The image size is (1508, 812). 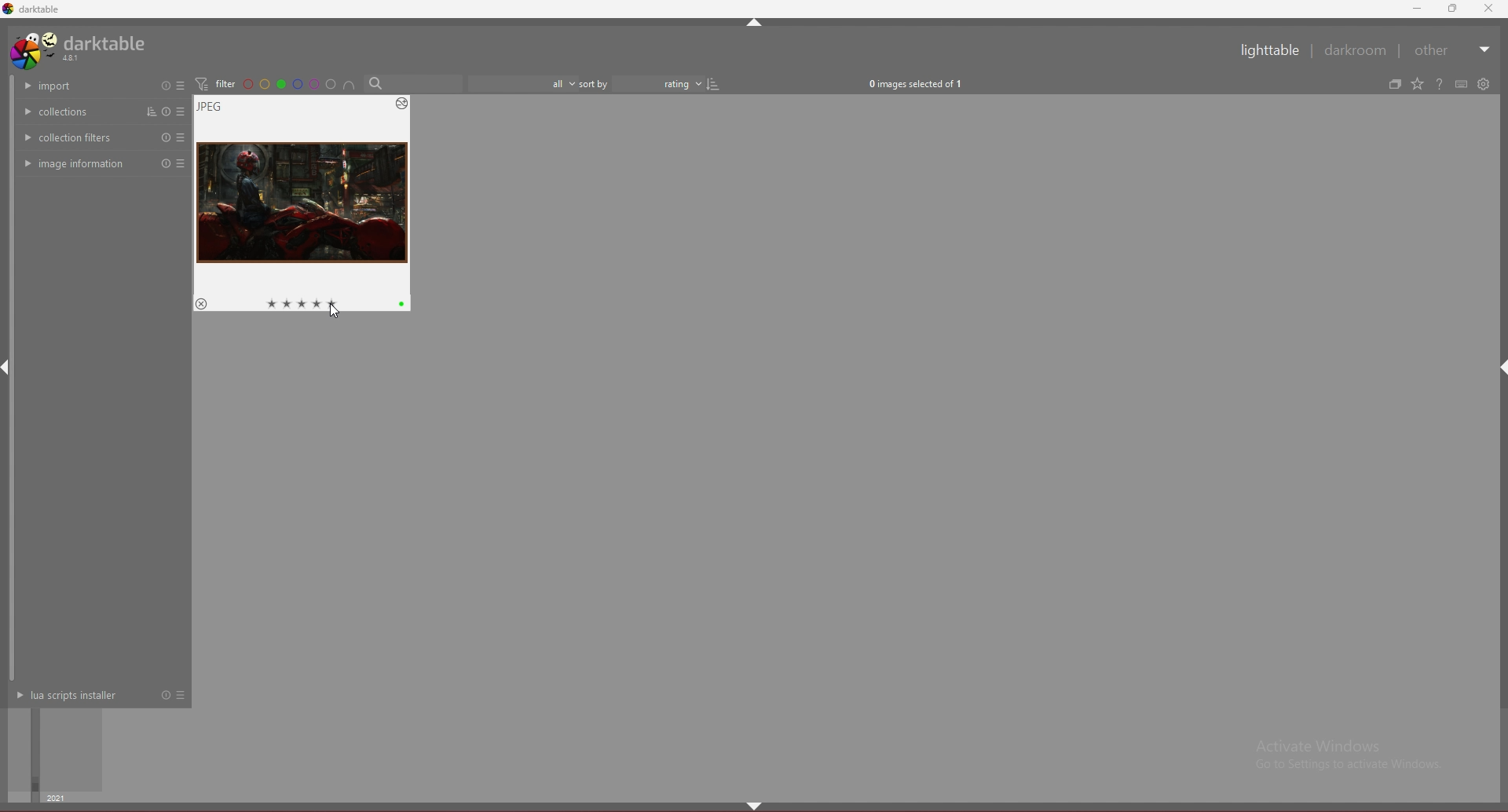 What do you see at coordinates (1462, 84) in the screenshot?
I see `define shortcuts` at bounding box center [1462, 84].